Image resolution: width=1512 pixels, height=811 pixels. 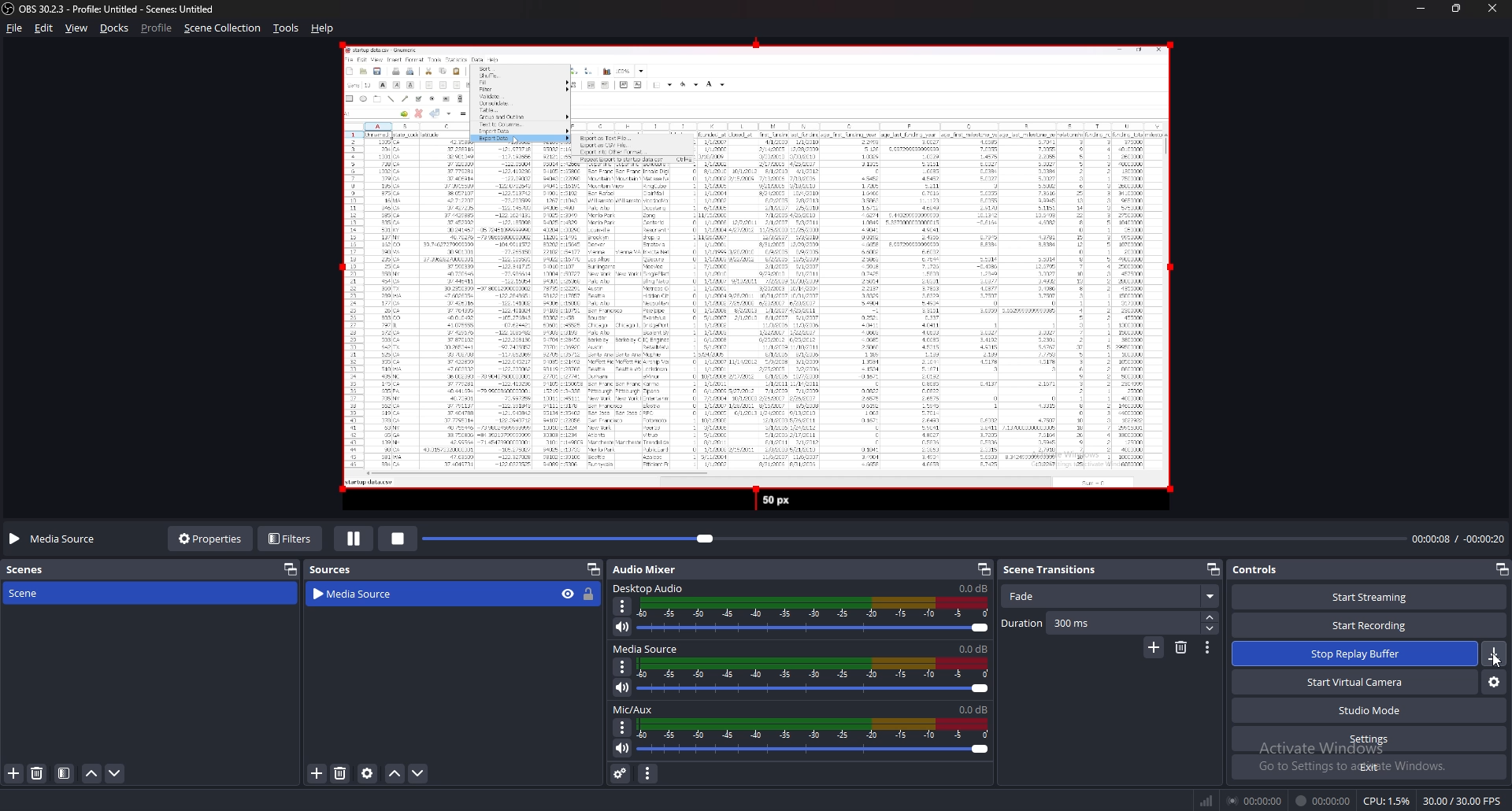 I want to click on tools, so click(x=285, y=28).